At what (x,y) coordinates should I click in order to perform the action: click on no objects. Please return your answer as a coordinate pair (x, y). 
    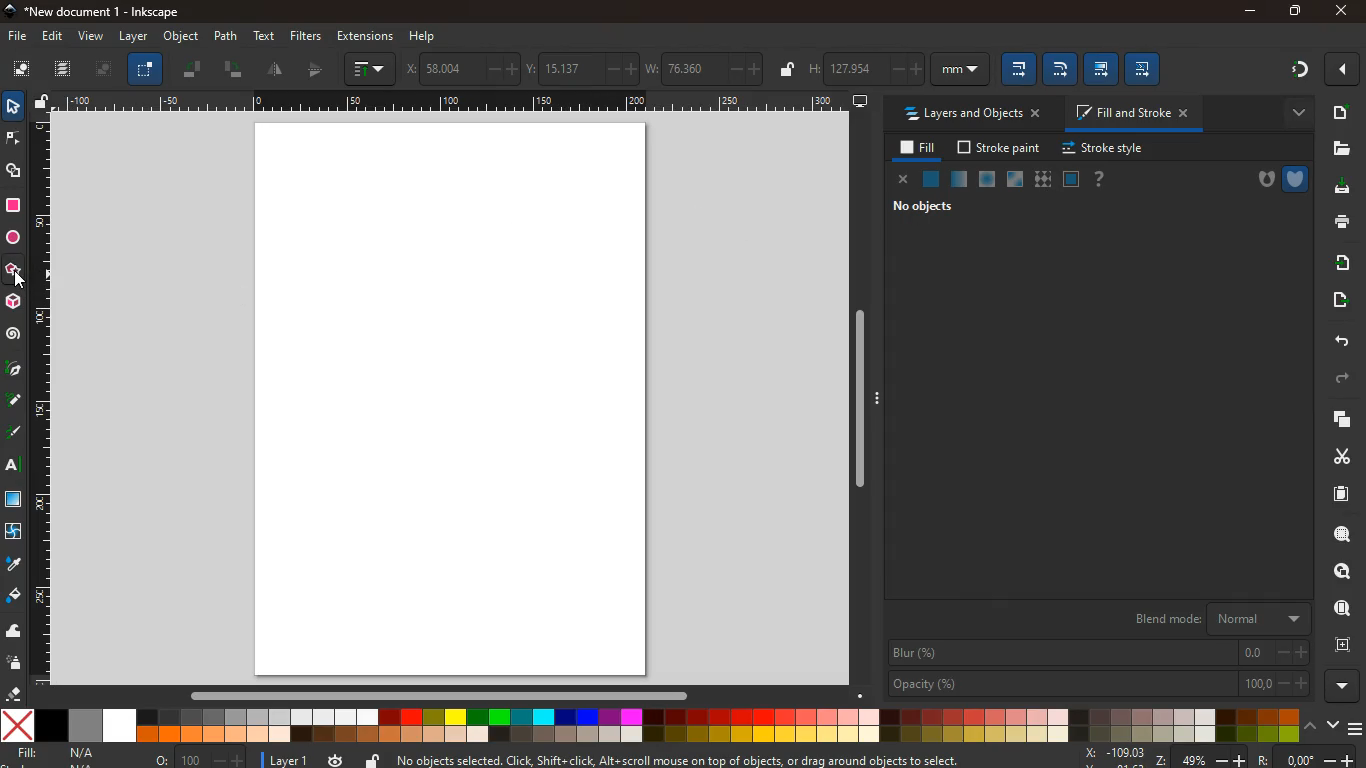
    Looking at the image, I should click on (925, 206).